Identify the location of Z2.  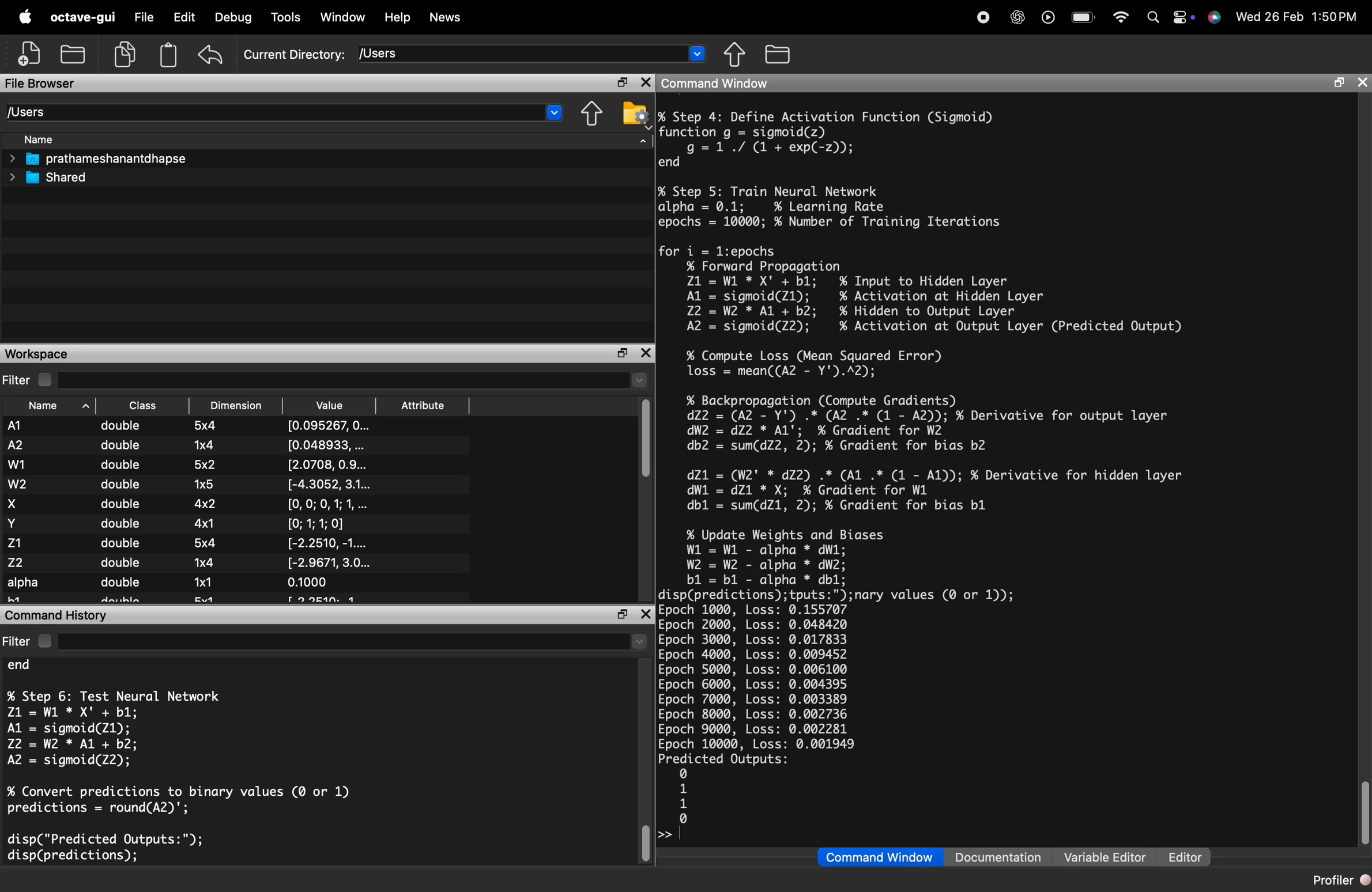
(21, 562).